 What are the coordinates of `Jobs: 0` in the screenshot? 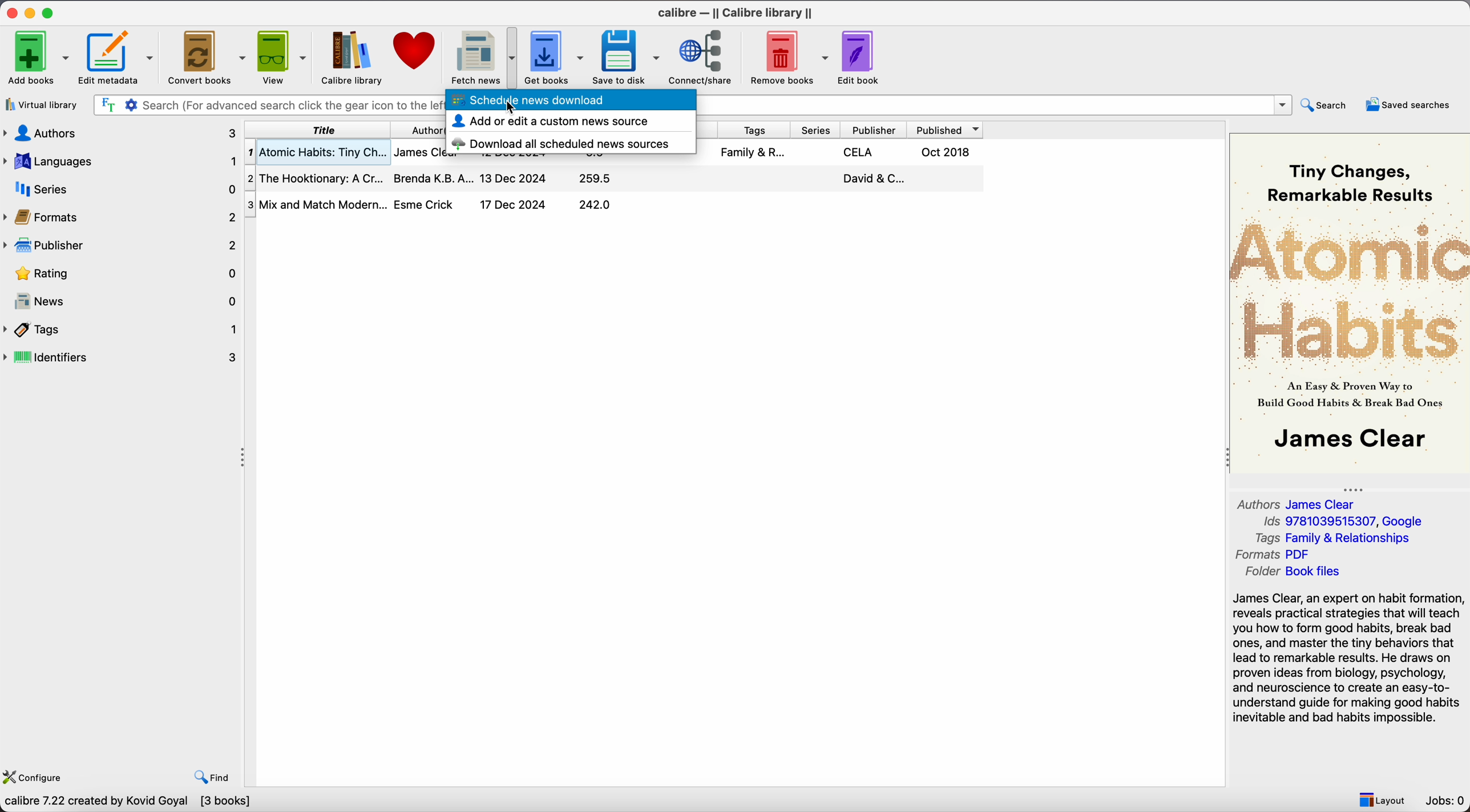 It's located at (1446, 801).